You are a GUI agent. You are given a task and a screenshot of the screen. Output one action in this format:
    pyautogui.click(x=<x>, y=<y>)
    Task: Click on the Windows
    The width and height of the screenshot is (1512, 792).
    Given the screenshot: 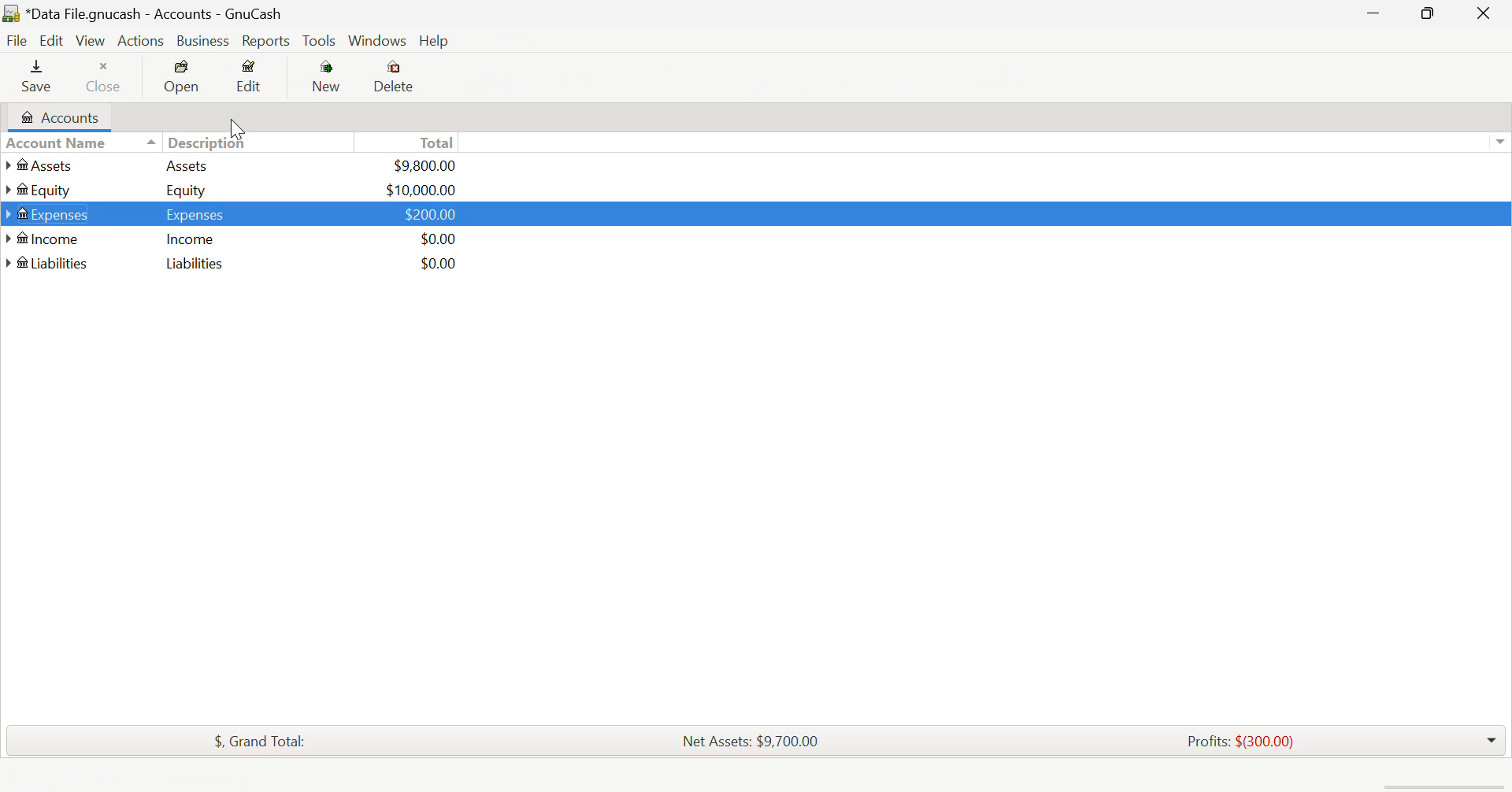 What is the action you would take?
    pyautogui.click(x=378, y=40)
    